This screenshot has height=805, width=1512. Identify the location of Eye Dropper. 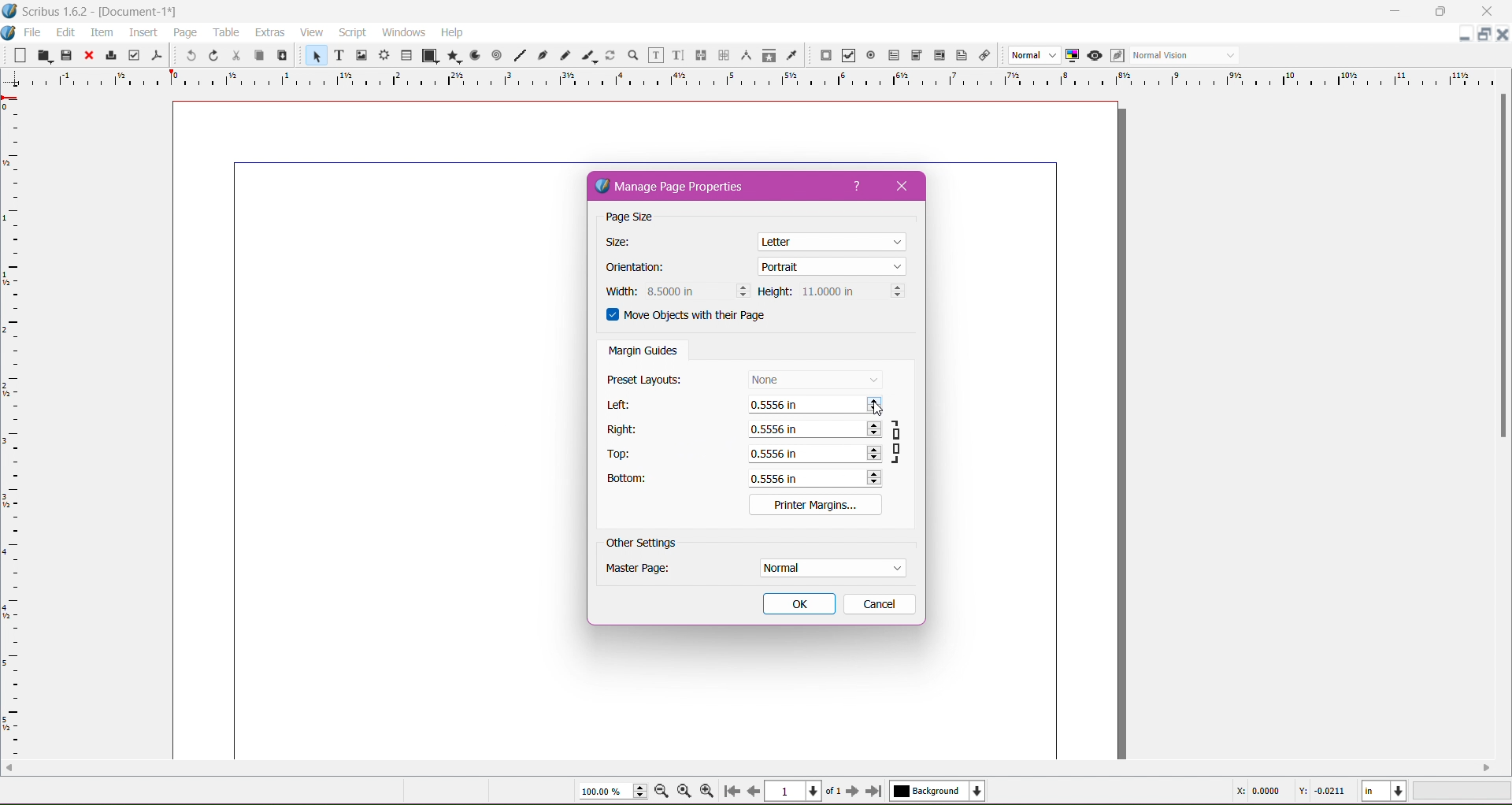
(791, 55).